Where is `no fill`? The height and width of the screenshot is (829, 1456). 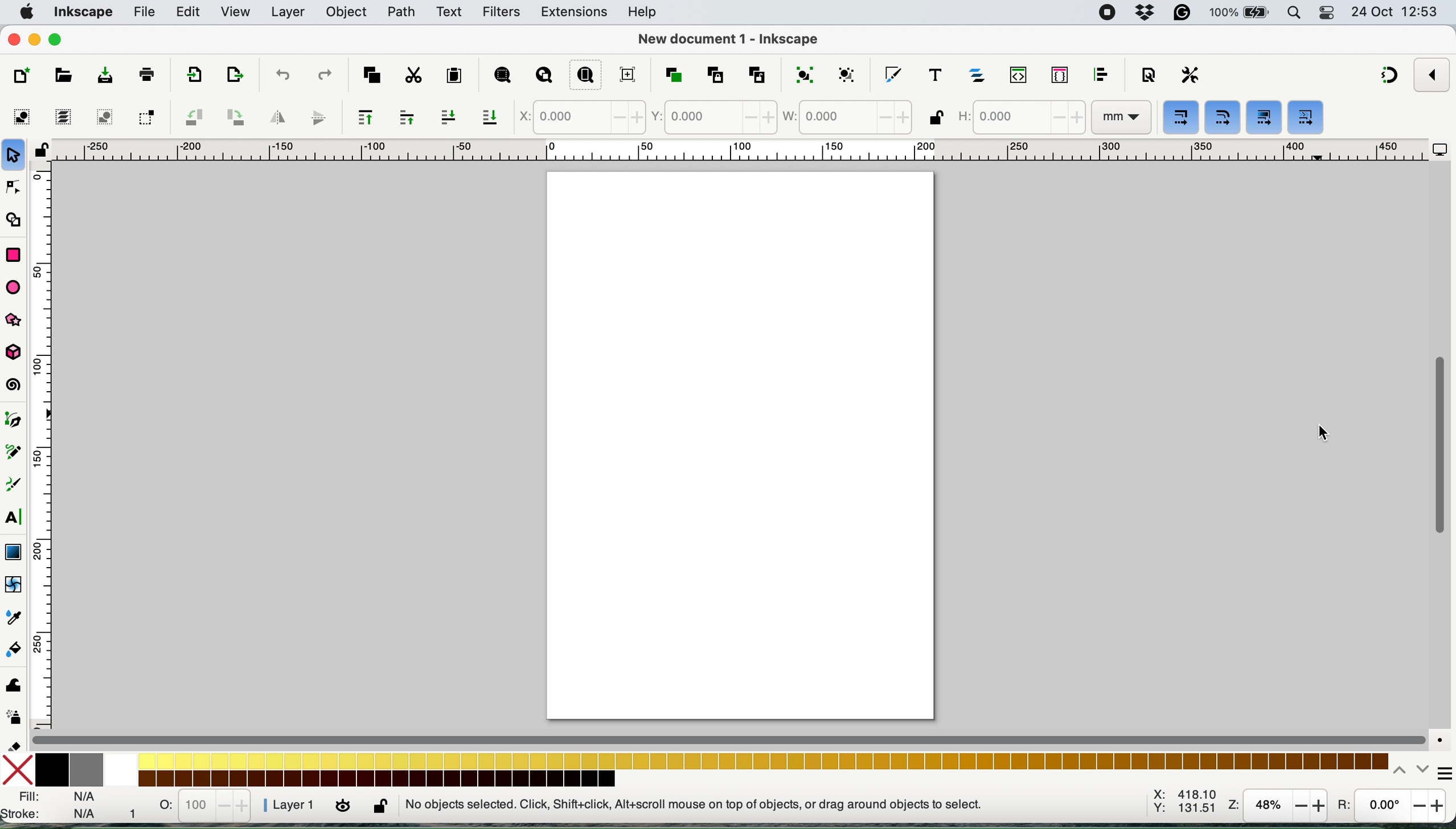
no fill is located at coordinates (18, 771).